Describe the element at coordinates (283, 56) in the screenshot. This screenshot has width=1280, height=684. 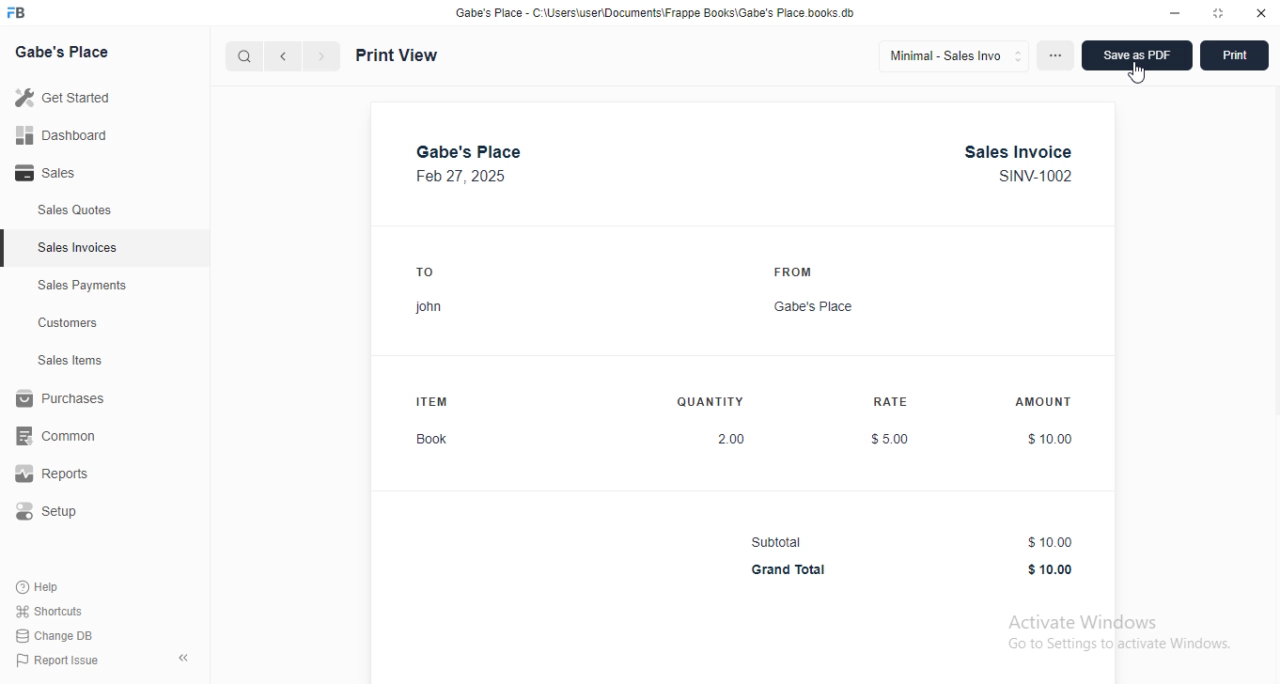
I see `previous` at that location.